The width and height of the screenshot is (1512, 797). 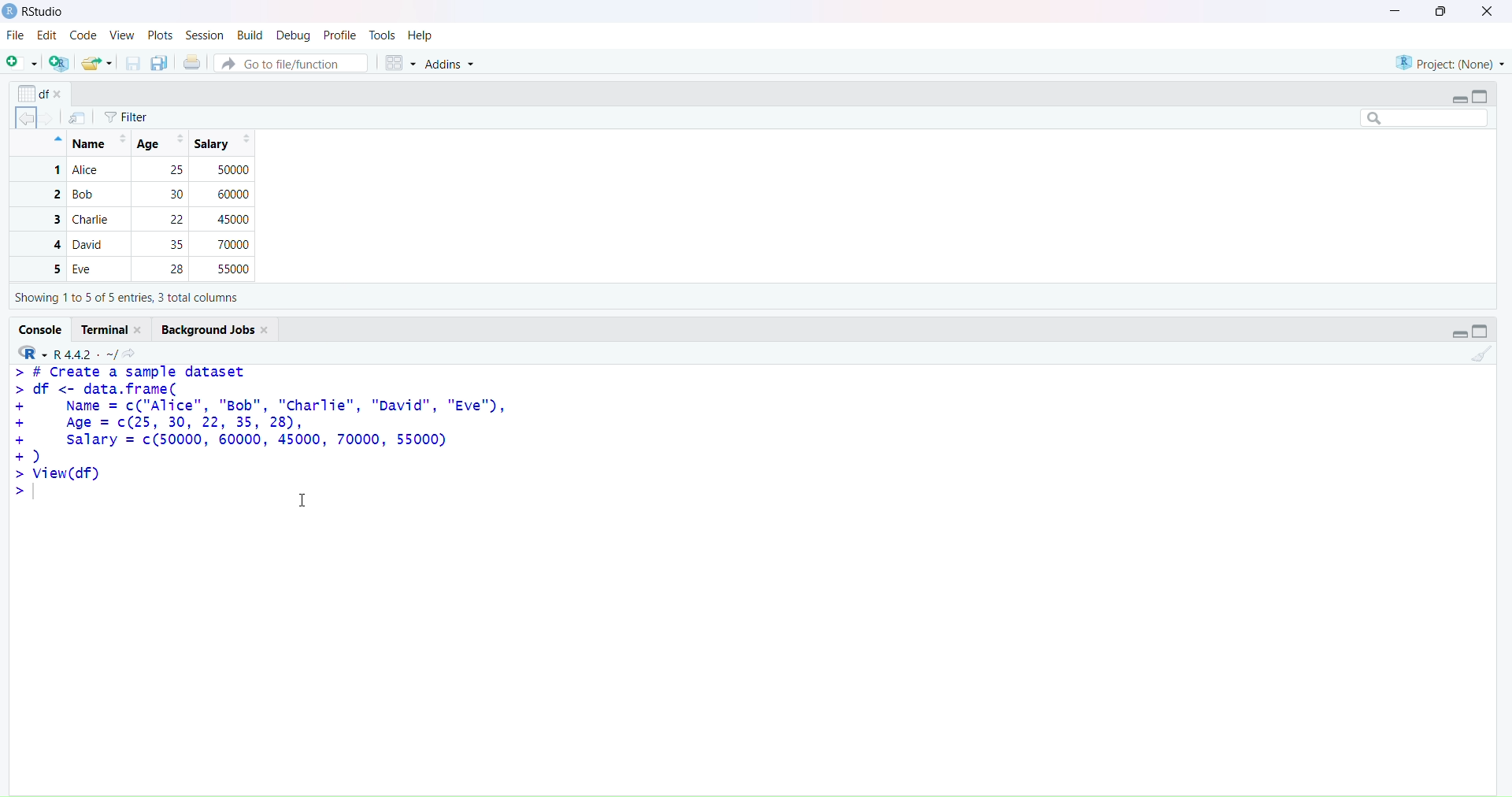 I want to click on Rstudio, so click(x=36, y=12).